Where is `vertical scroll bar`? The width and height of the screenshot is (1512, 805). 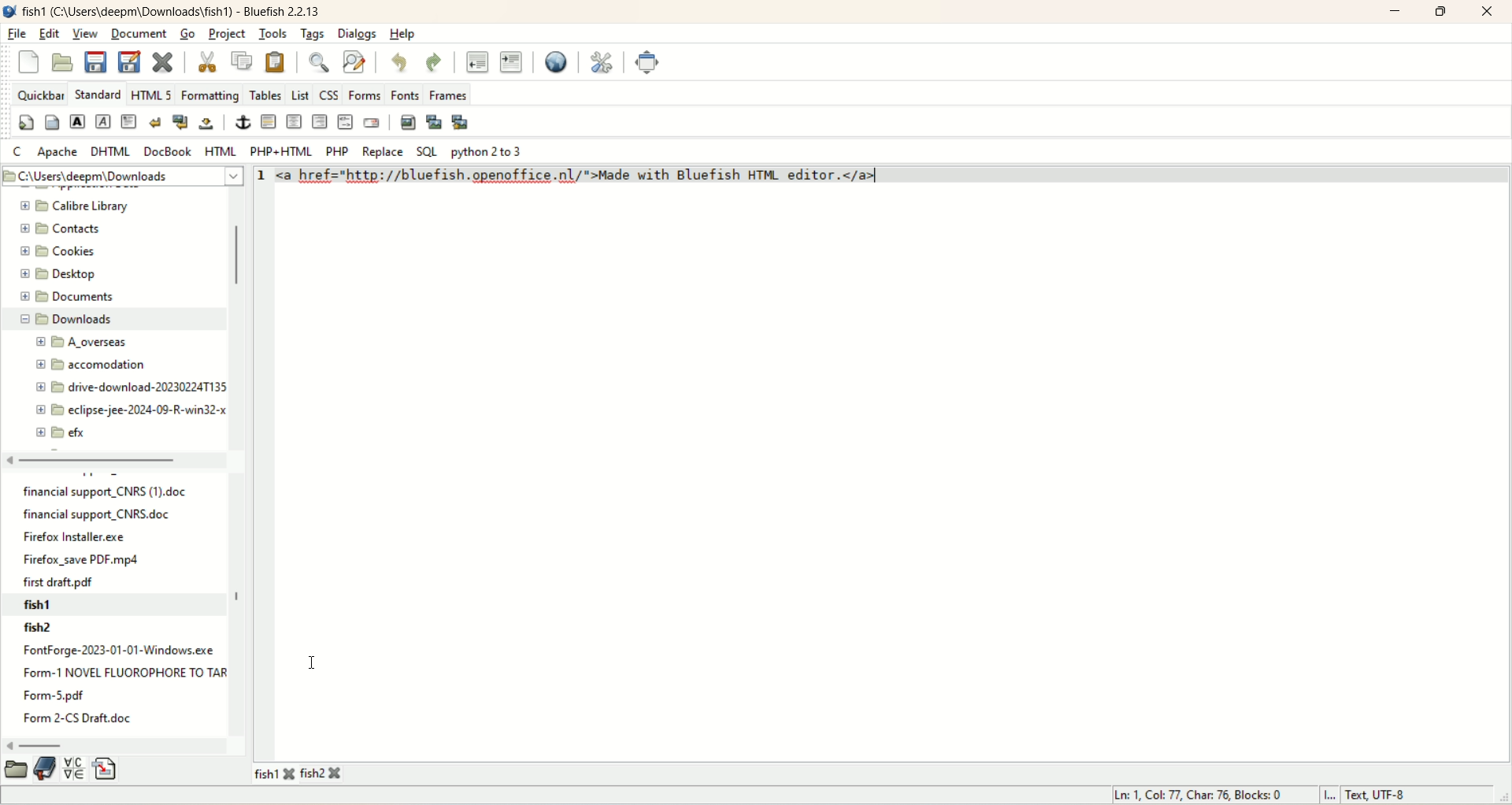
vertical scroll bar is located at coordinates (232, 320).